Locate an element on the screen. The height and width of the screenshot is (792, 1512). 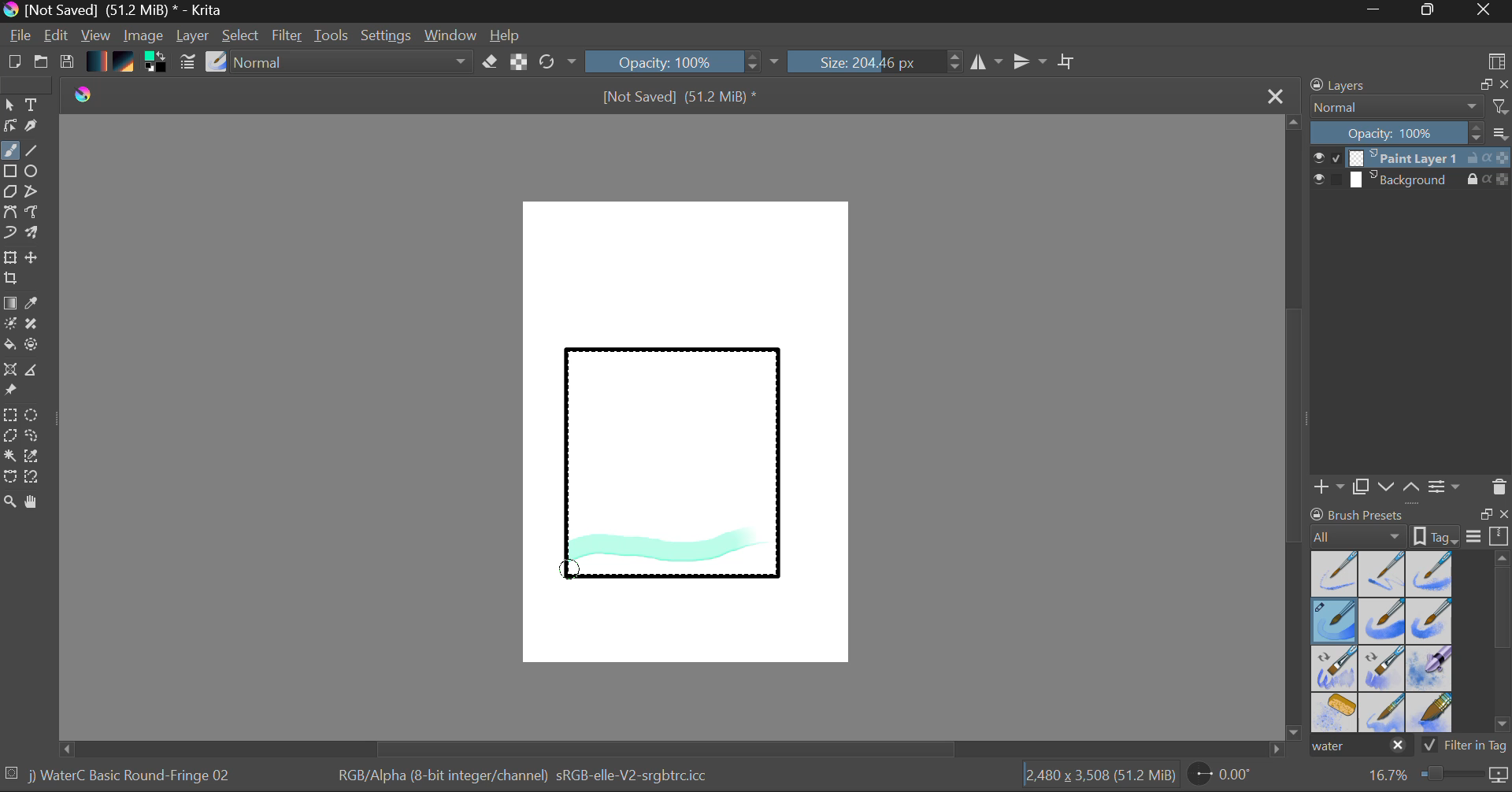
Tools is located at coordinates (332, 36).